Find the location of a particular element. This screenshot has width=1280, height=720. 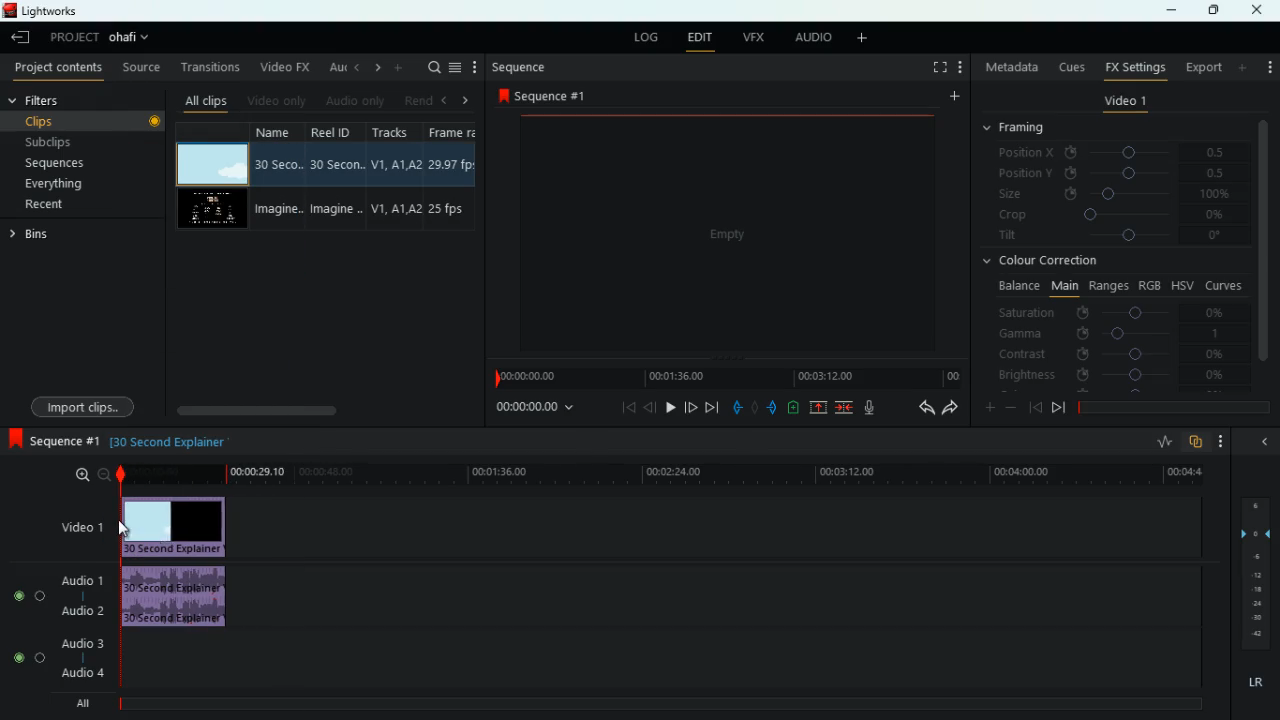

lr is located at coordinates (1253, 679).